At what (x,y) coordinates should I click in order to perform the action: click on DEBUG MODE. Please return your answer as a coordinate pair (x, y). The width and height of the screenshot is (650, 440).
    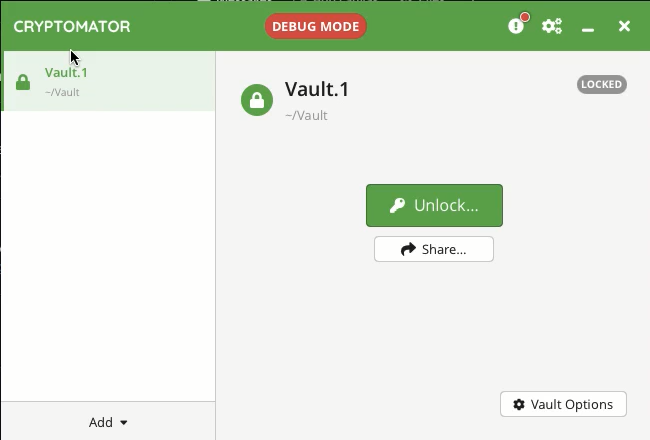
    Looking at the image, I should click on (316, 25).